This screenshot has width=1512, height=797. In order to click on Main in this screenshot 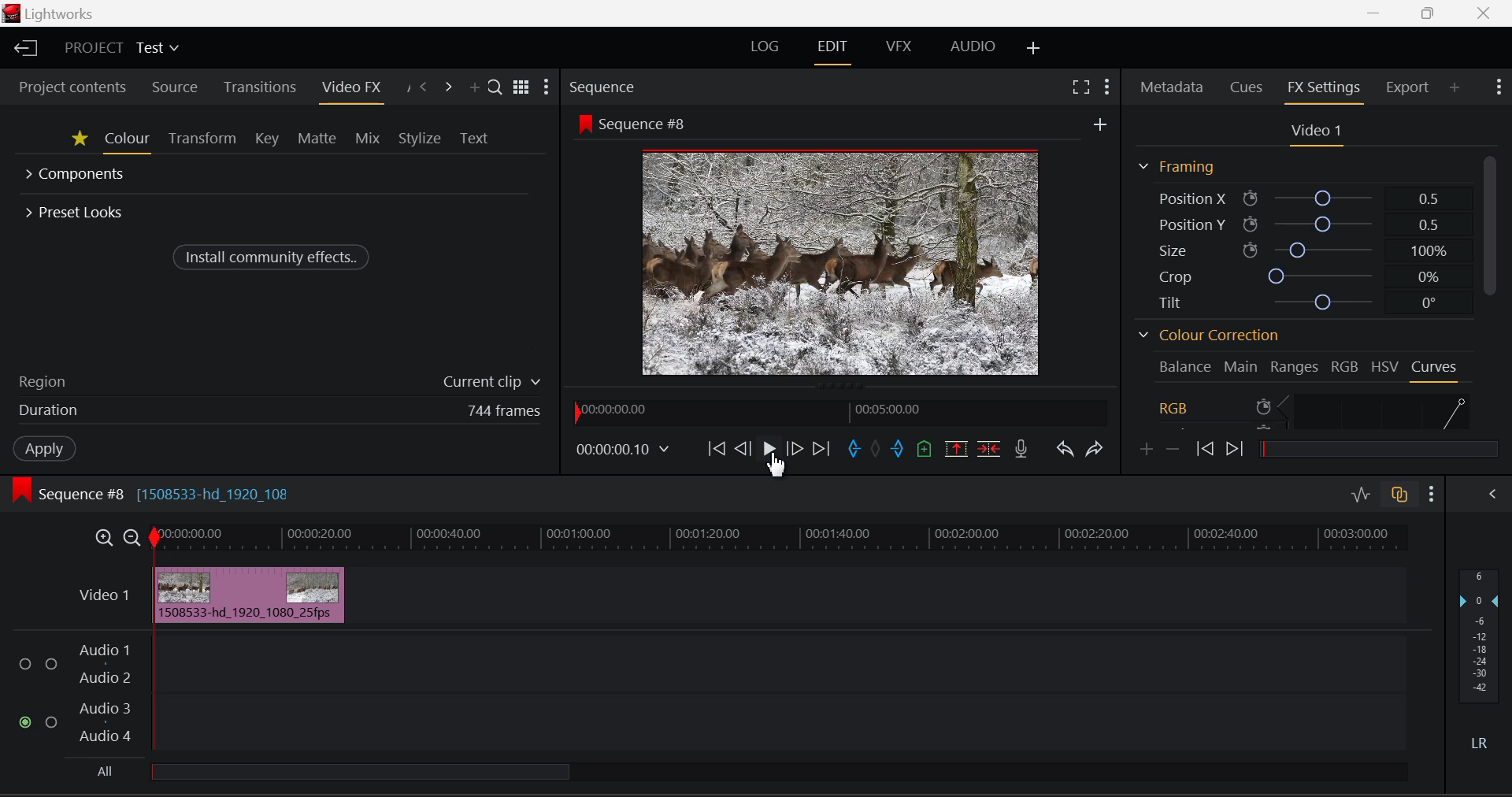, I will do `click(1241, 365)`.